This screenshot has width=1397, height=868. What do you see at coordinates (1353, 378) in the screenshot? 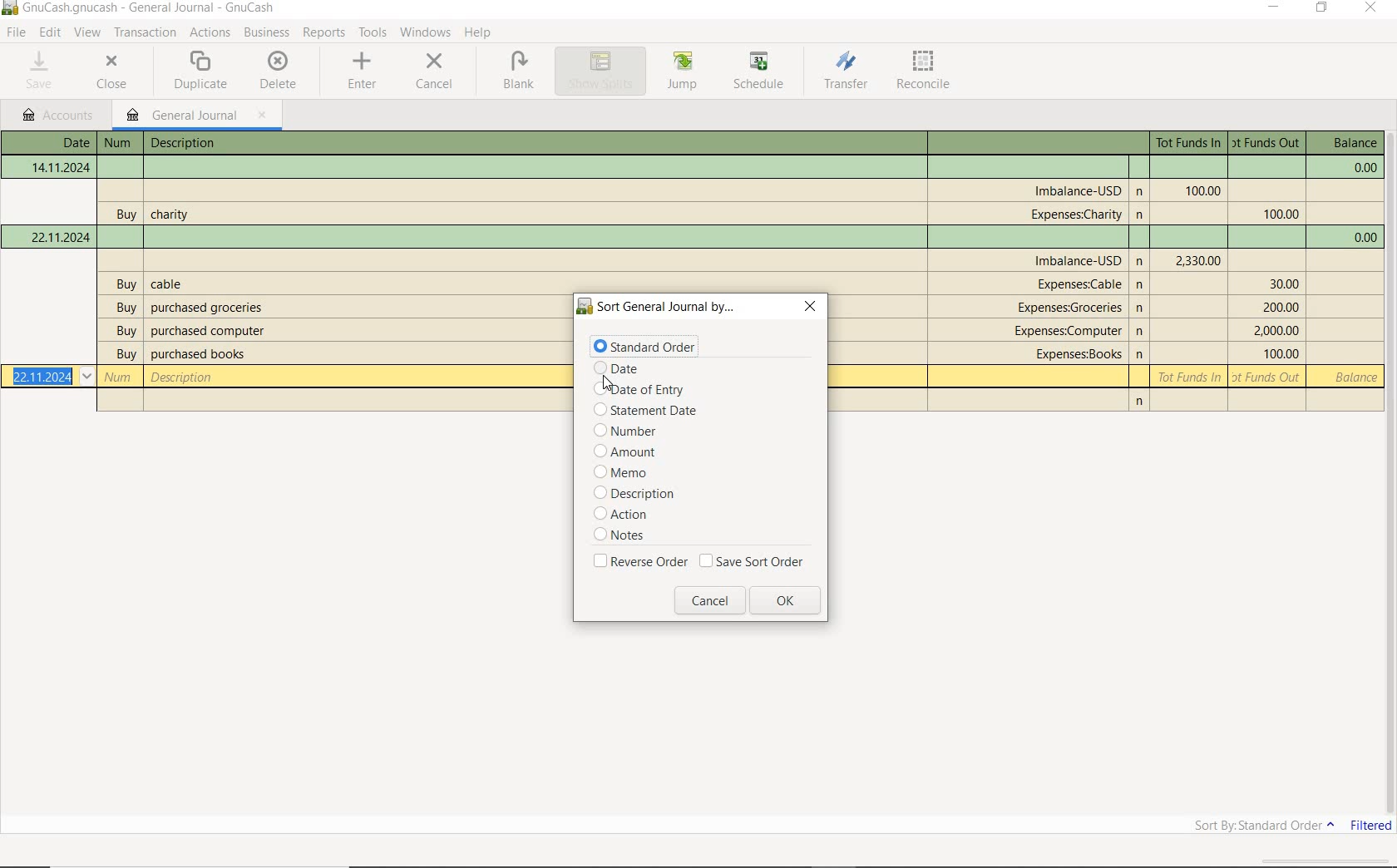
I see `balance` at bounding box center [1353, 378].